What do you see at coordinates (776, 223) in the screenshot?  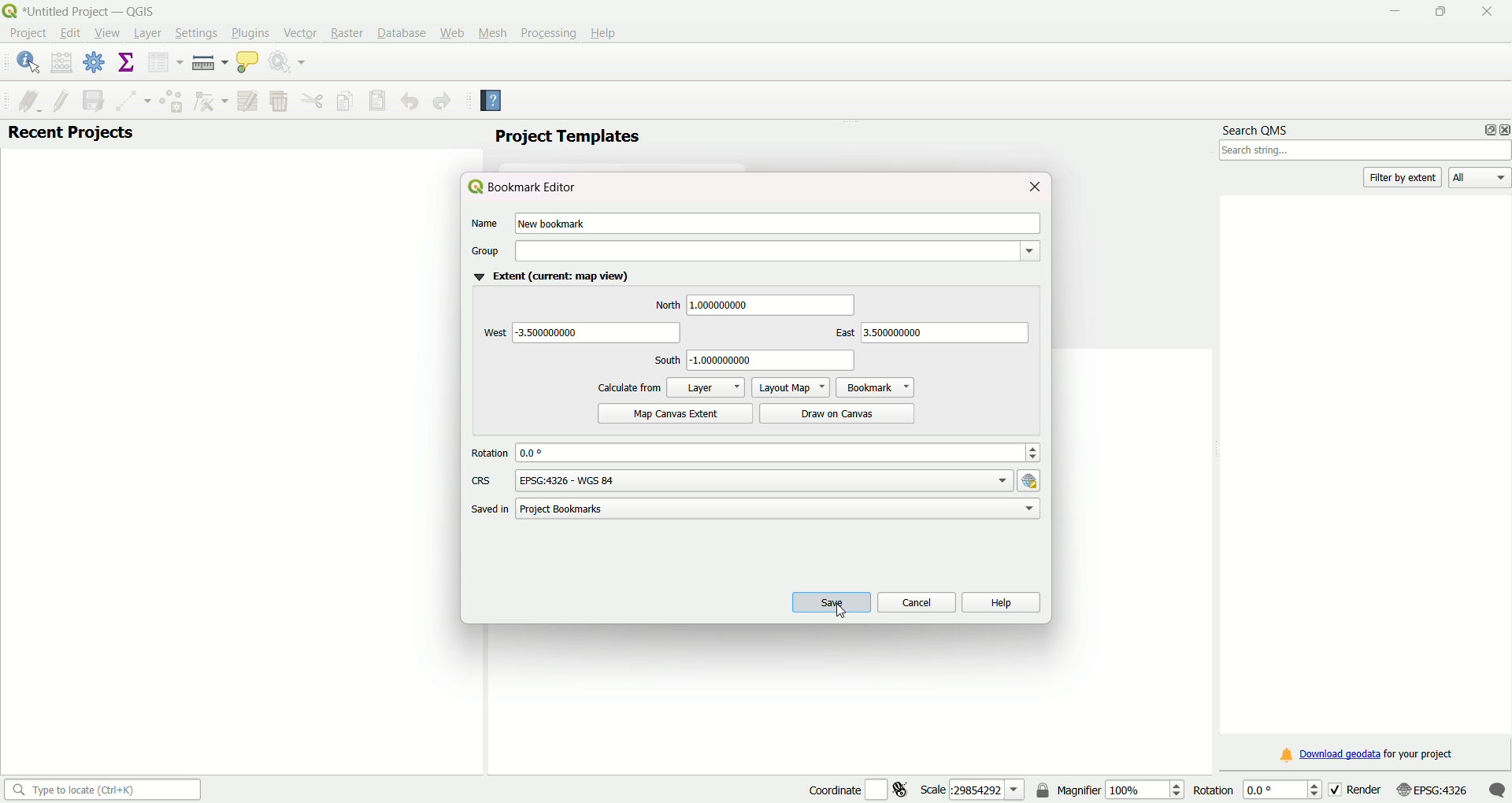 I see `text box` at bounding box center [776, 223].